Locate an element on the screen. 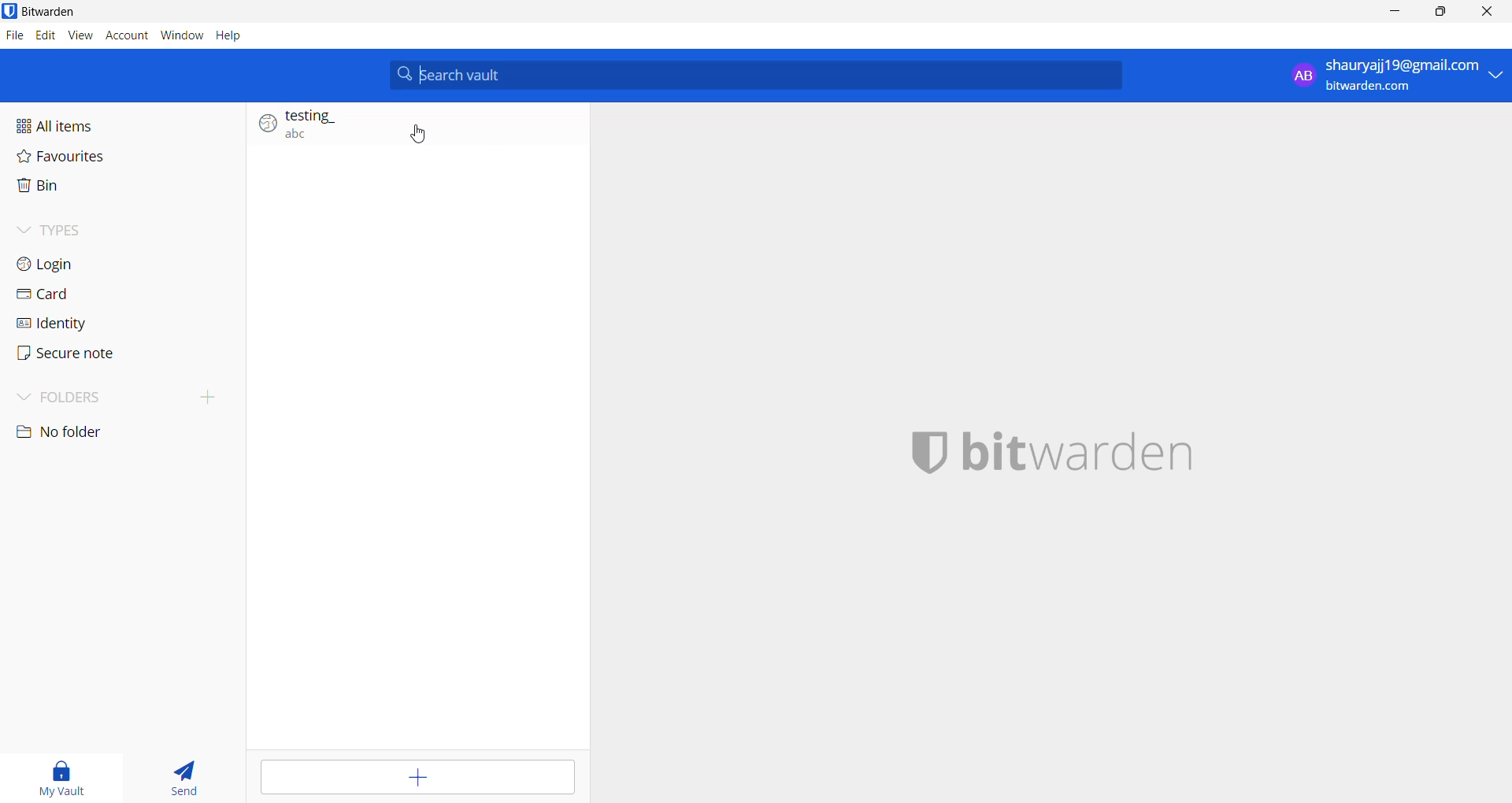 This screenshot has width=1512, height=803. Favourites is located at coordinates (121, 155).